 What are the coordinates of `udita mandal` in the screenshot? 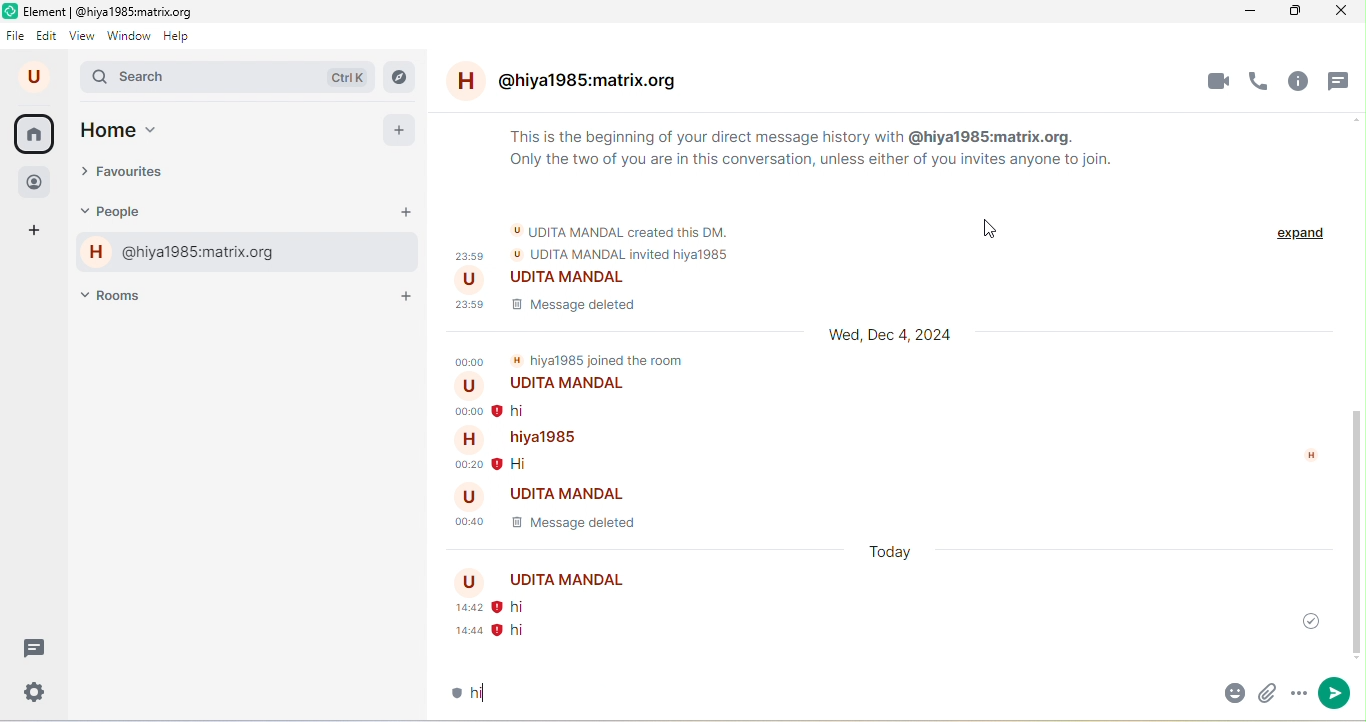 It's located at (546, 280).